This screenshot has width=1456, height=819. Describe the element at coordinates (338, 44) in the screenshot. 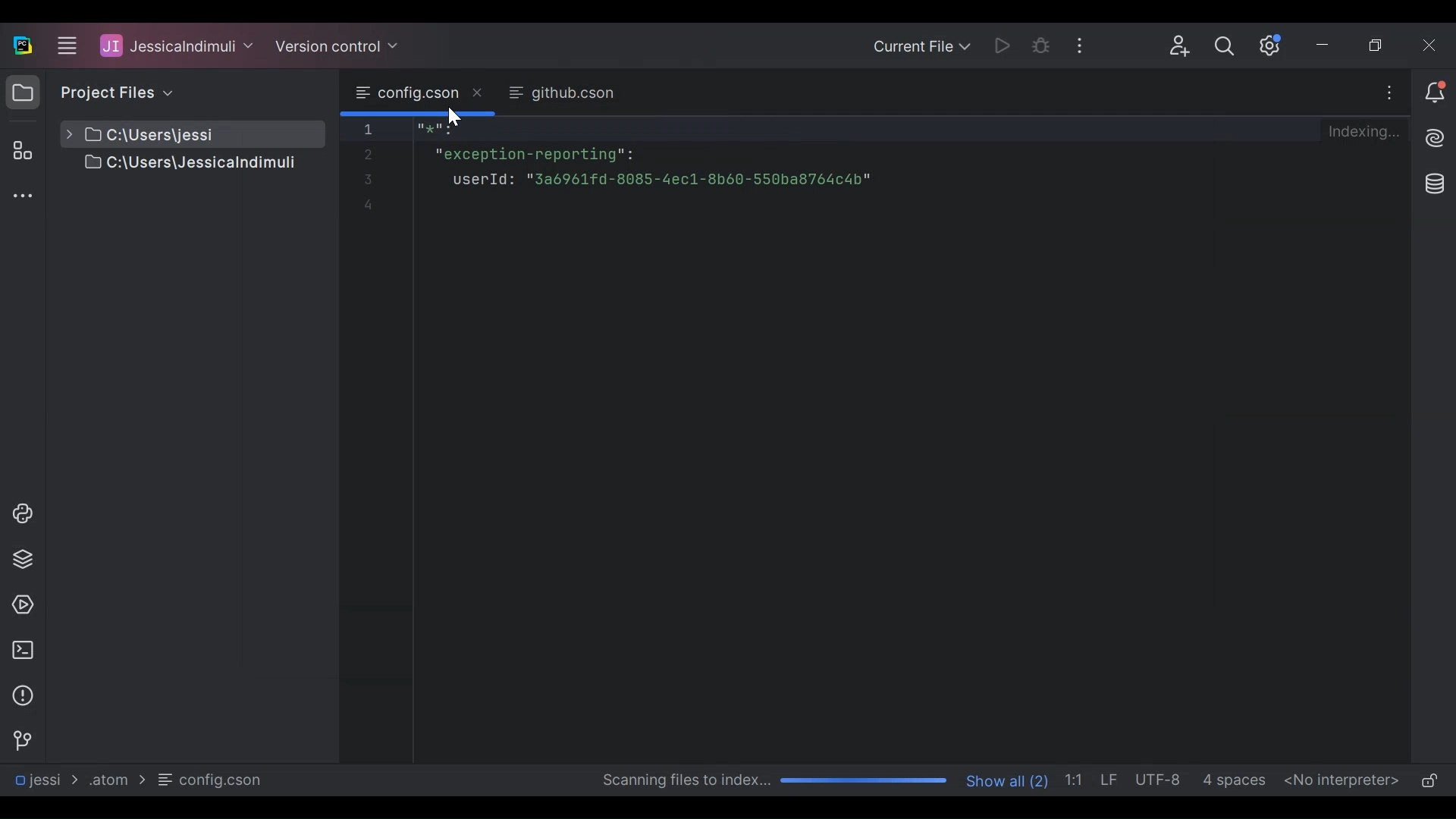

I see `Version Control` at that location.